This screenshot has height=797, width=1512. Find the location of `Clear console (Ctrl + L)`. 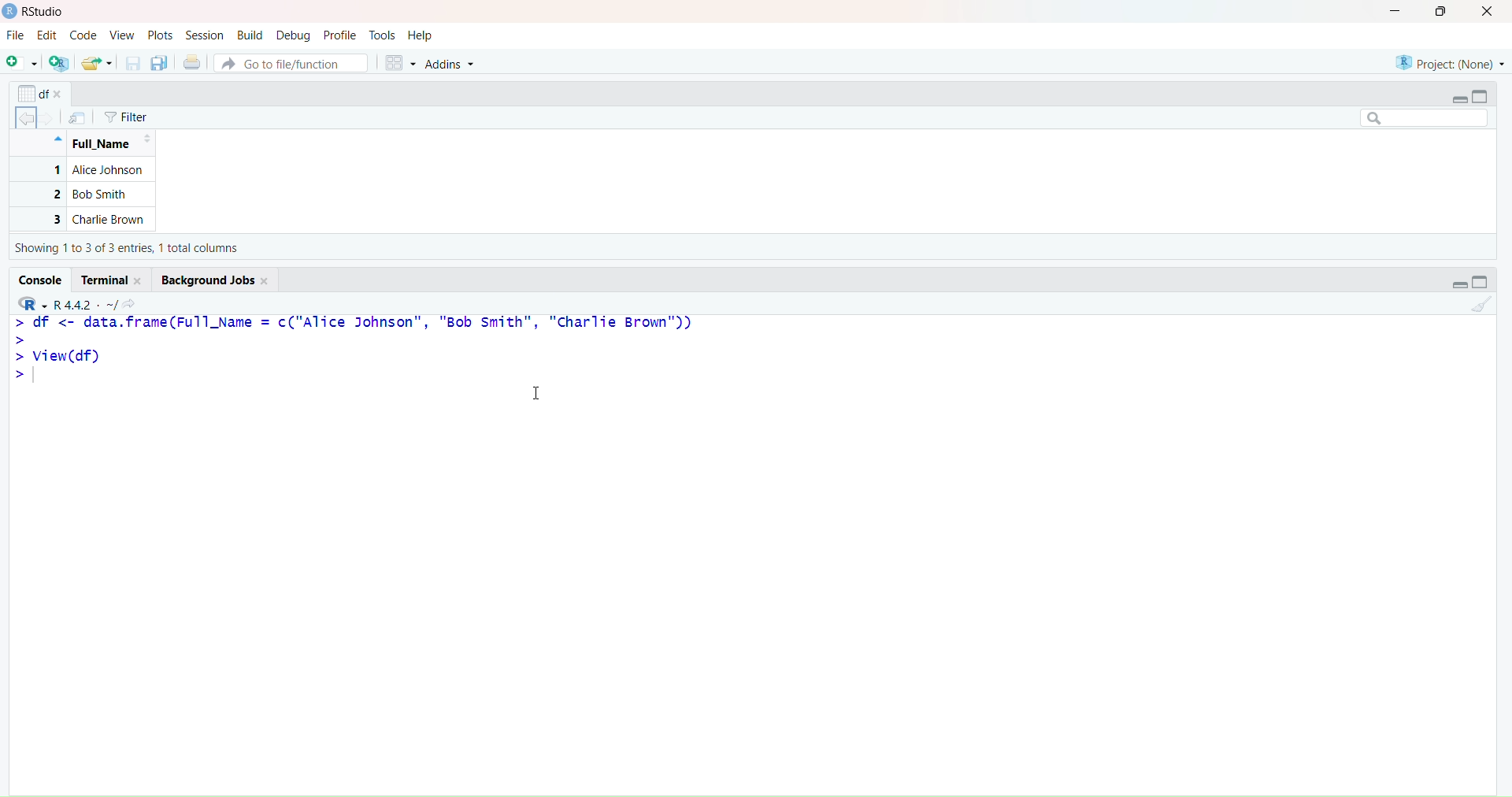

Clear console (Ctrl + L) is located at coordinates (1481, 306).